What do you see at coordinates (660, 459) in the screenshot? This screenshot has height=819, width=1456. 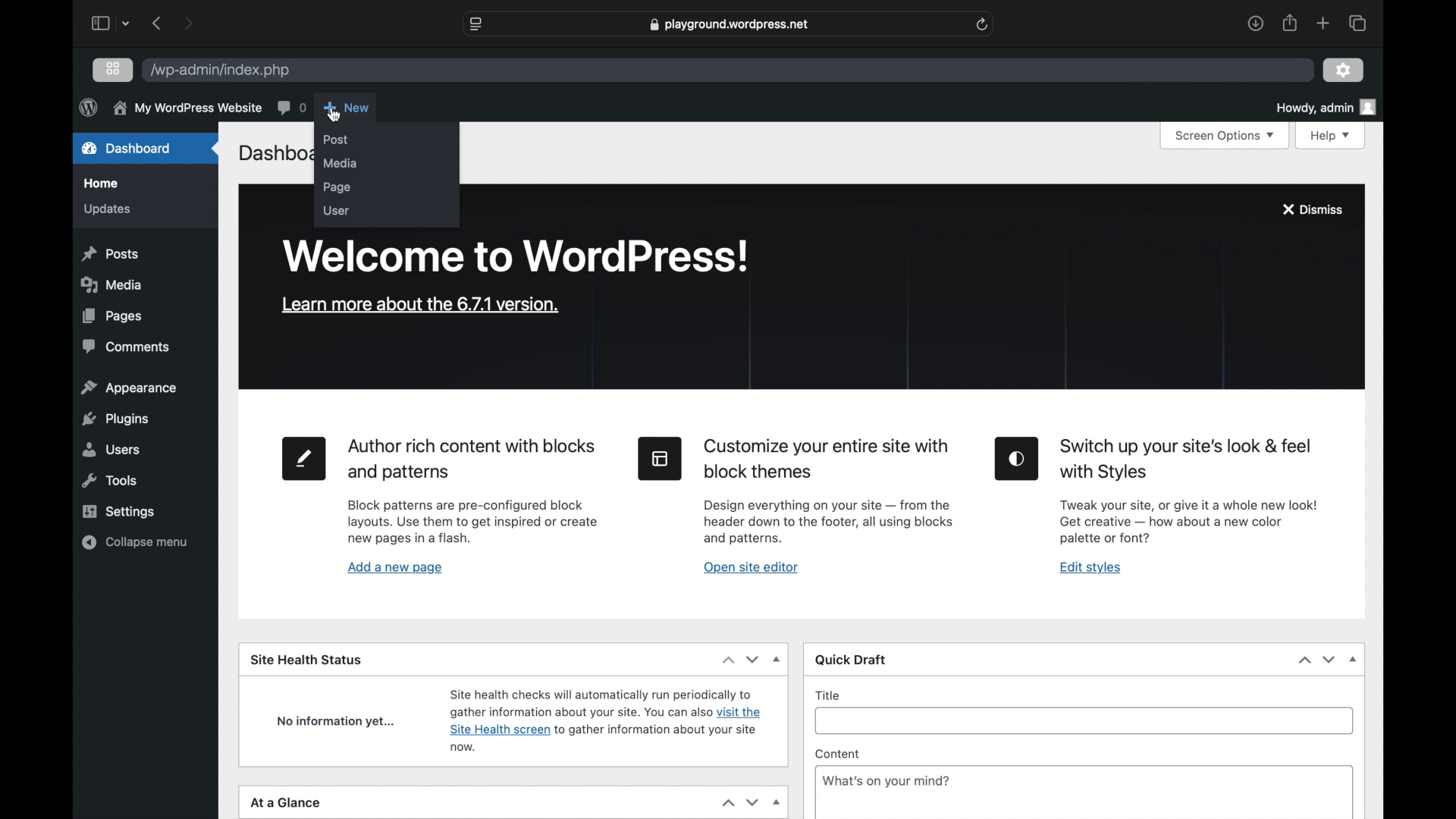 I see `icon` at bounding box center [660, 459].